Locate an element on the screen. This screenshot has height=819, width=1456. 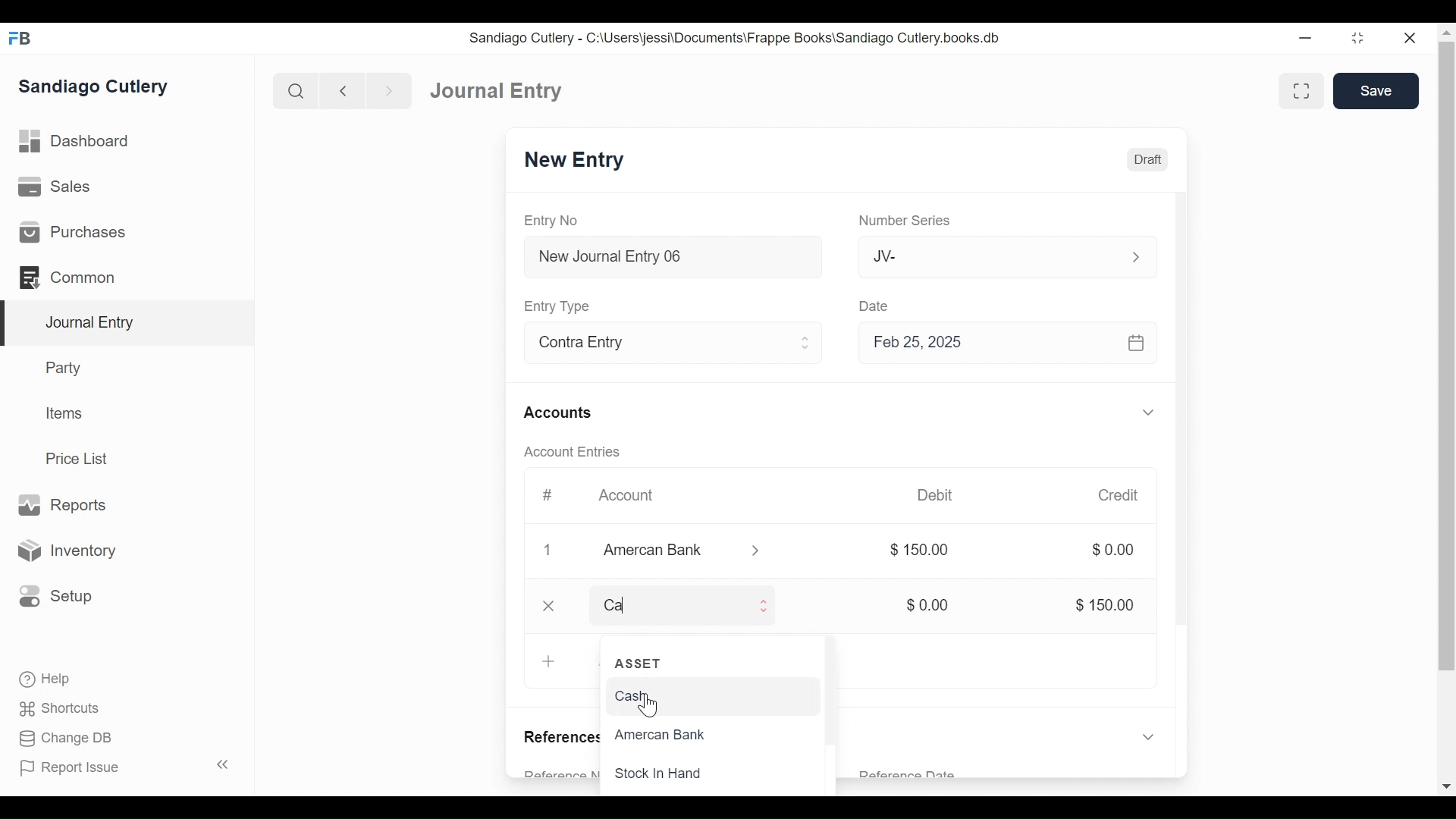
Journal Entry is located at coordinates (128, 324).